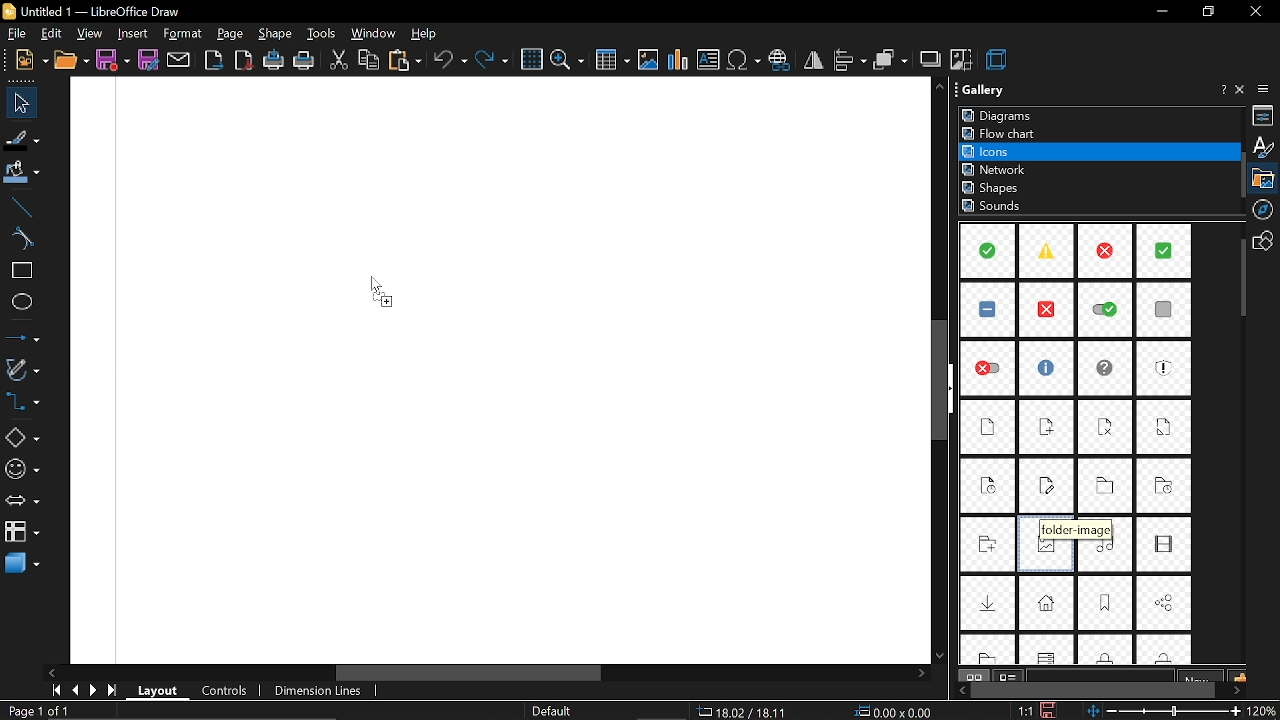 The width and height of the screenshot is (1280, 720). What do you see at coordinates (1255, 13) in the screenshot?
I see `close` at bounding box center [1255, 13].